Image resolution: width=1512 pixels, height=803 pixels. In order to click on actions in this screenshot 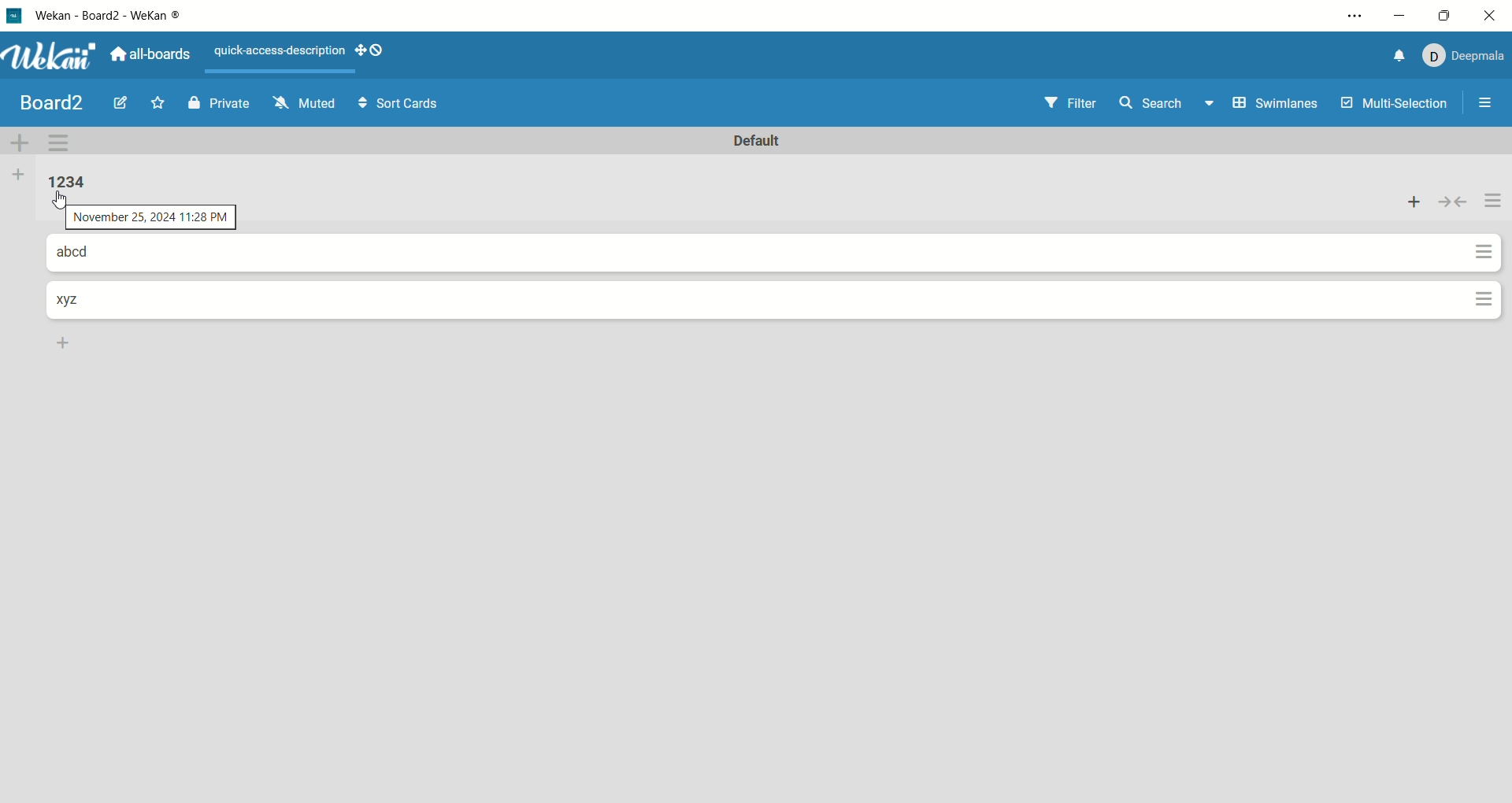, I will do `click(1492, 204)`.